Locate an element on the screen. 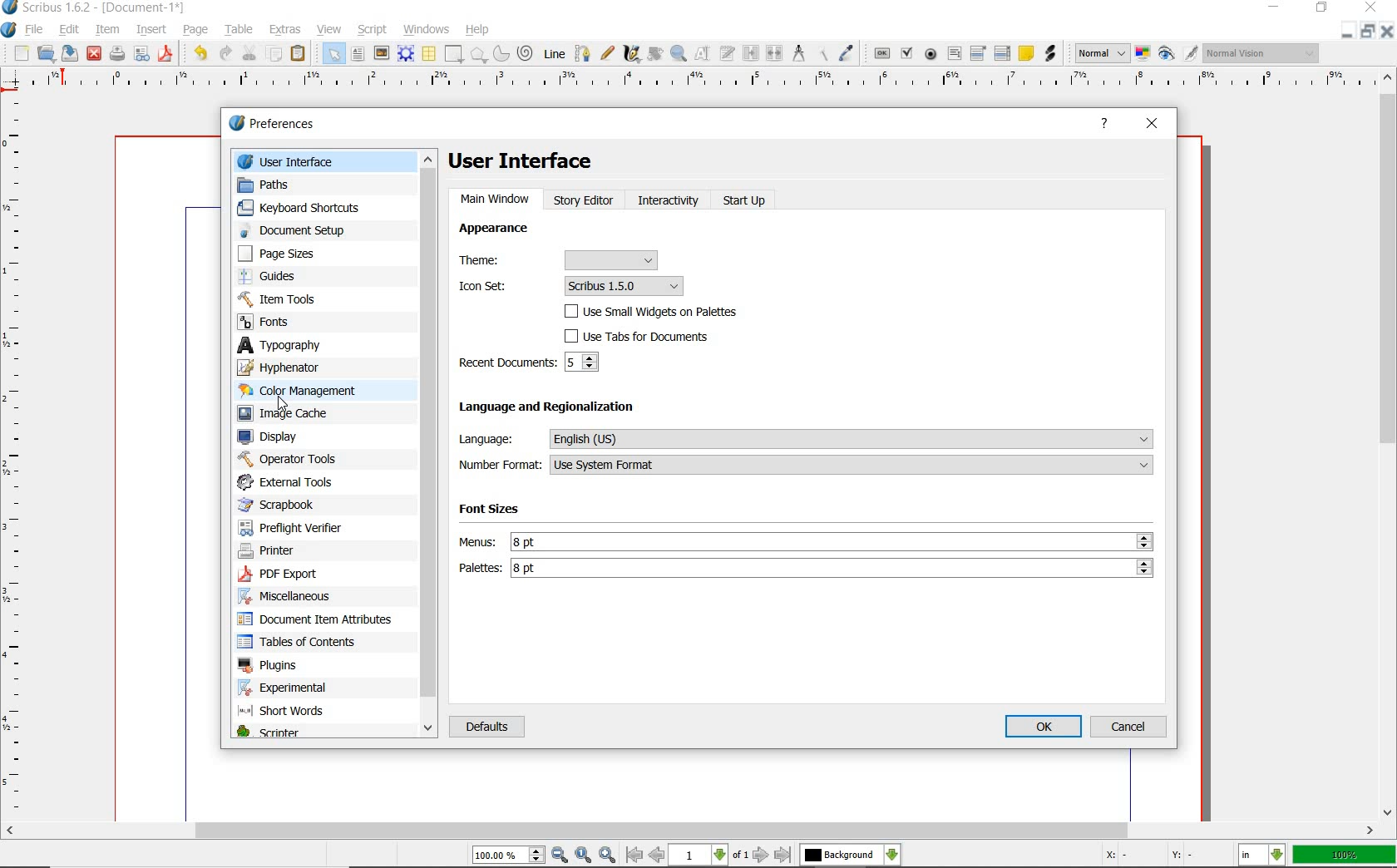 This screenshot has height=868, width=1397. scrollbar is located at coordinates (689, 831).